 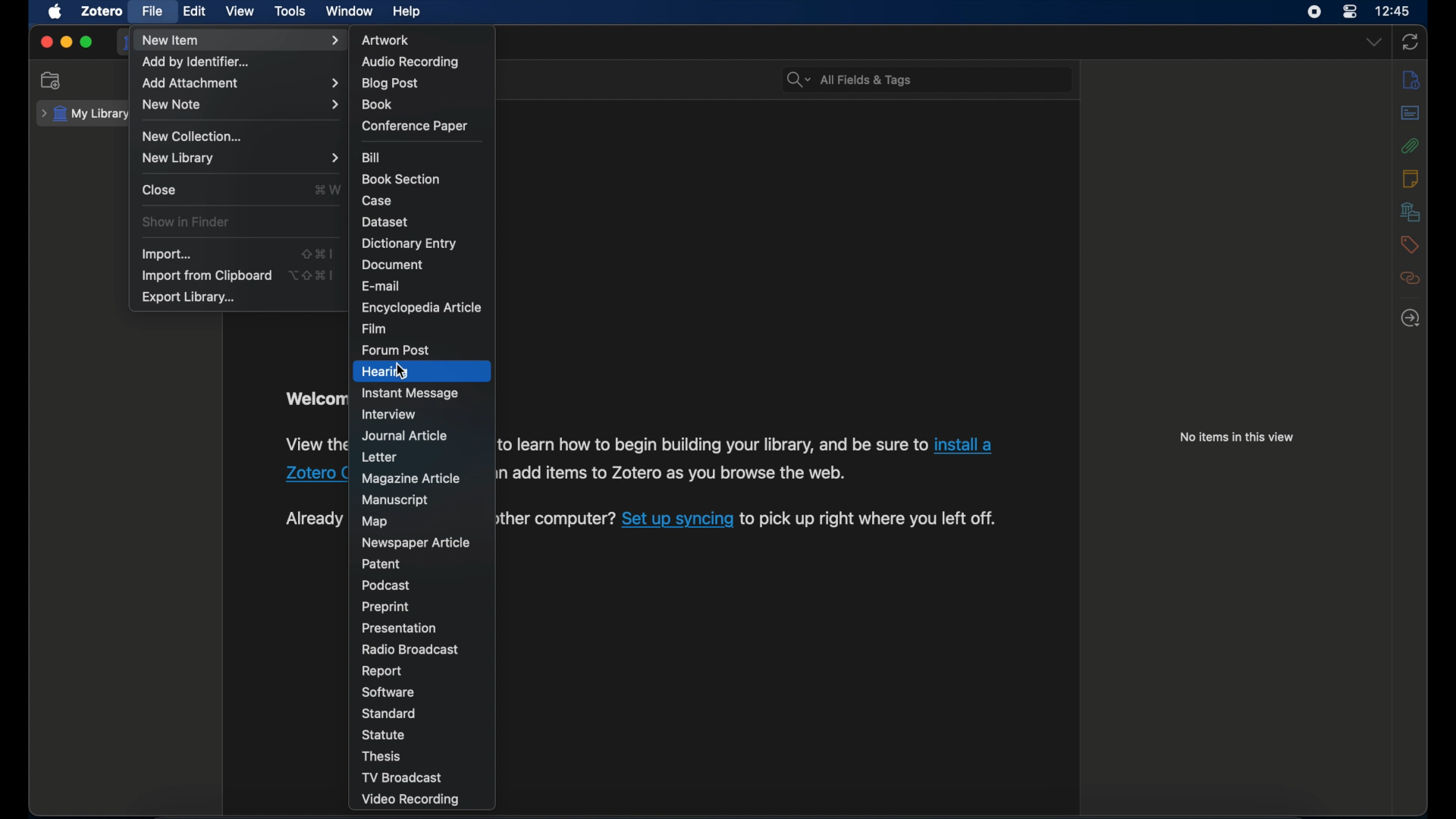 I want to click on screen recorder , so click(x=1312, y=12).